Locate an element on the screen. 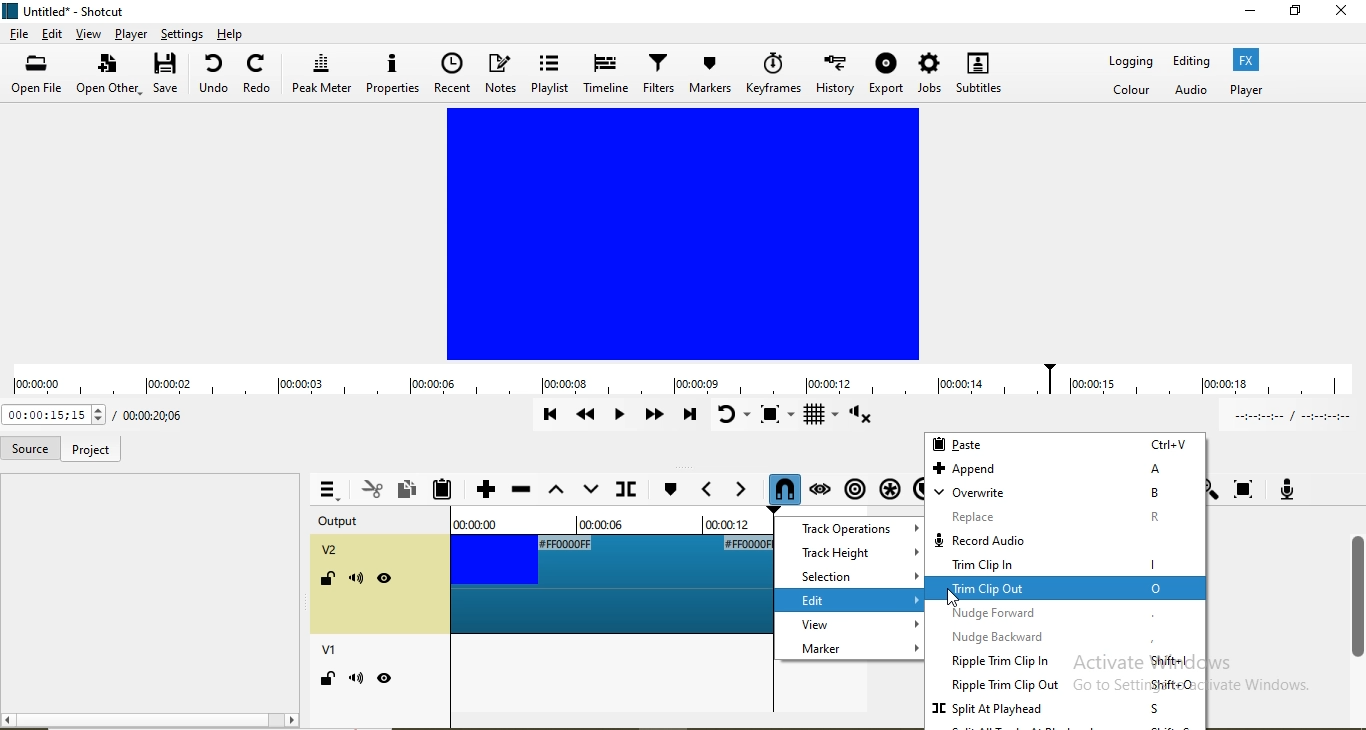 The width and height of the screenshot is (1366, 730). Current position is located at coordinates (149, 416).